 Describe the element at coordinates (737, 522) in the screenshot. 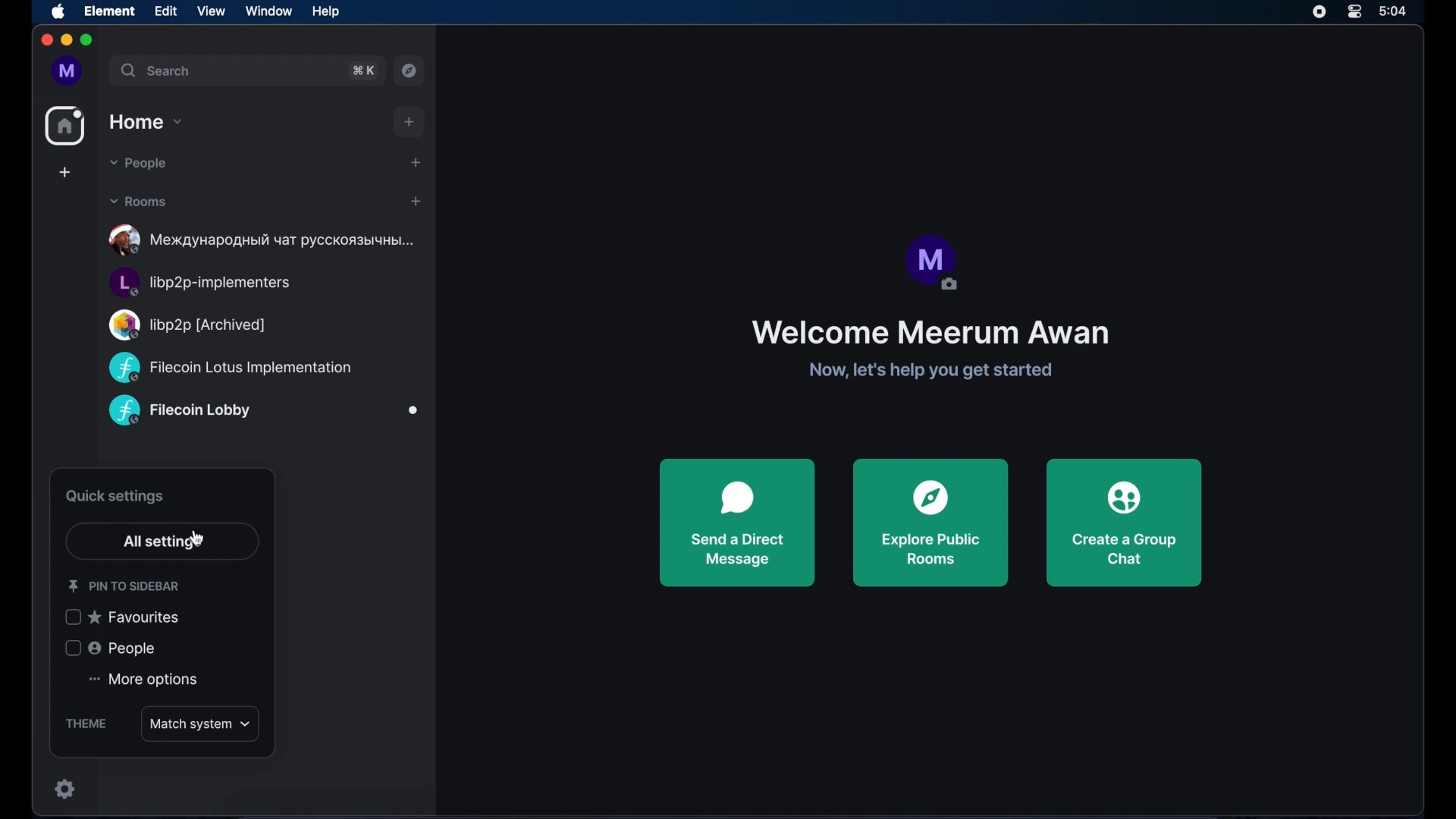

I see `send a direct message` at that location.